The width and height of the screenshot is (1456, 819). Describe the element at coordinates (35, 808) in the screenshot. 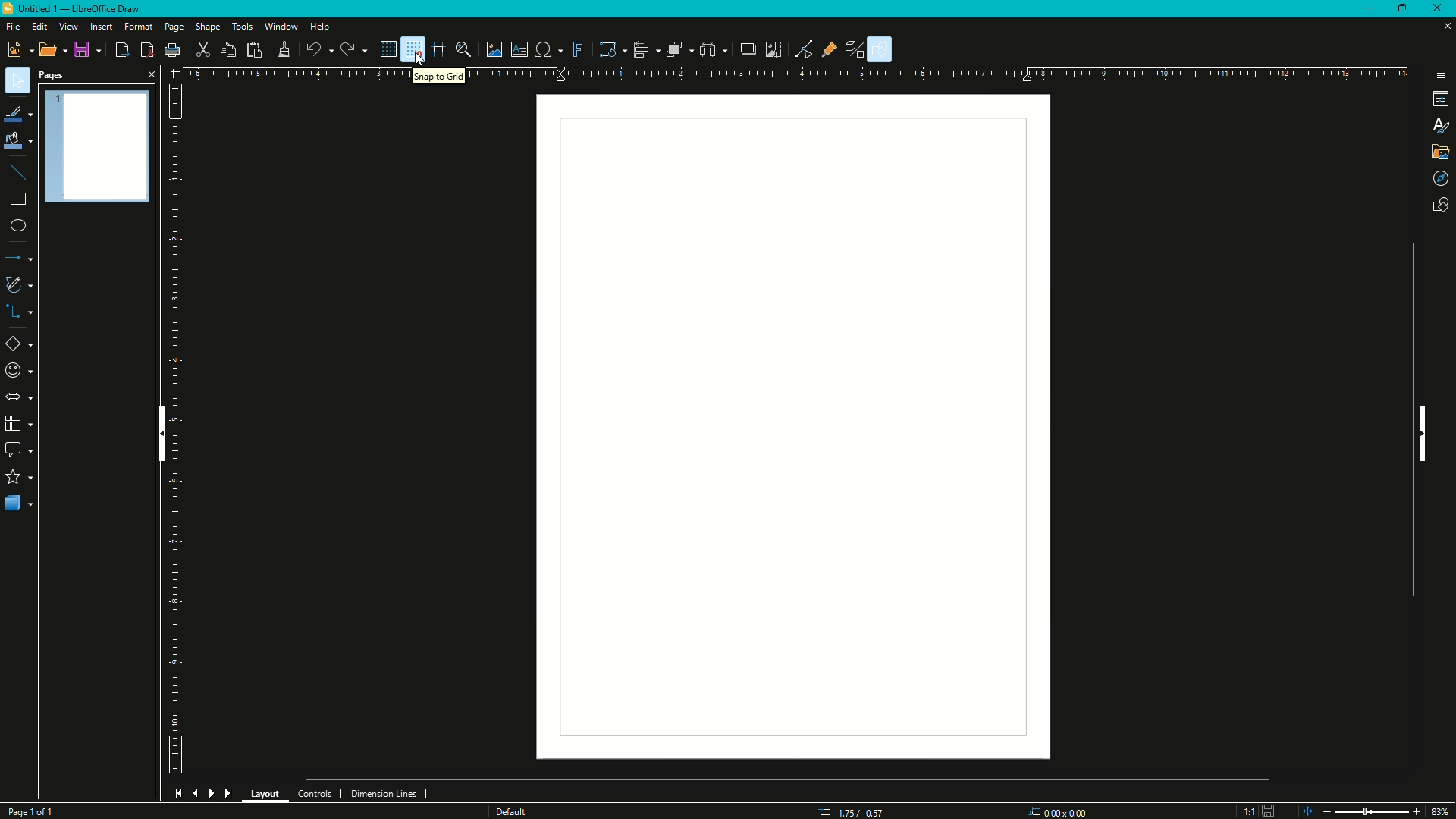

I see `Page 1 out of 1` at that location.